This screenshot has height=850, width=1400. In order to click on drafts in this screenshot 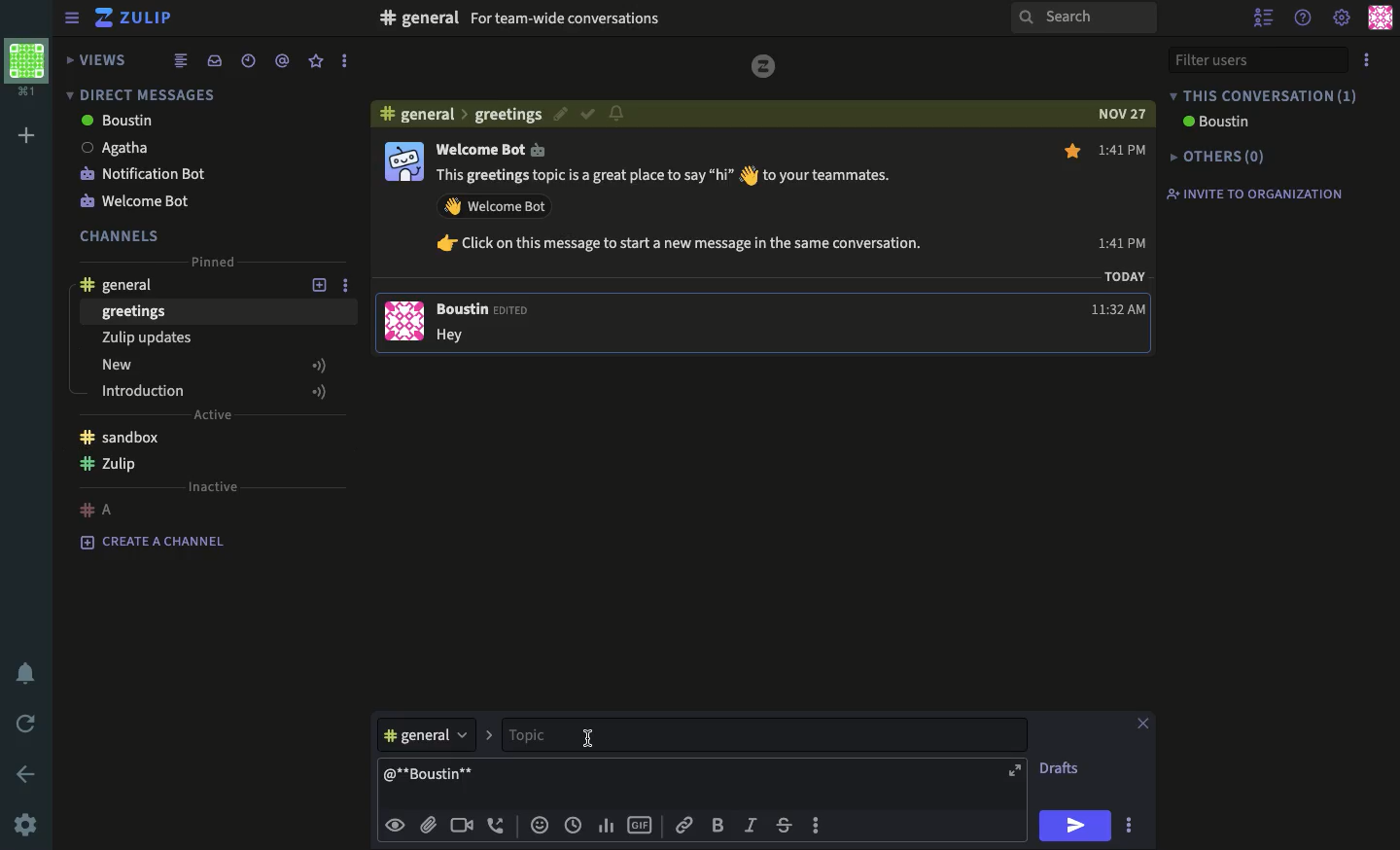, I will do `click(1060, 766)`.